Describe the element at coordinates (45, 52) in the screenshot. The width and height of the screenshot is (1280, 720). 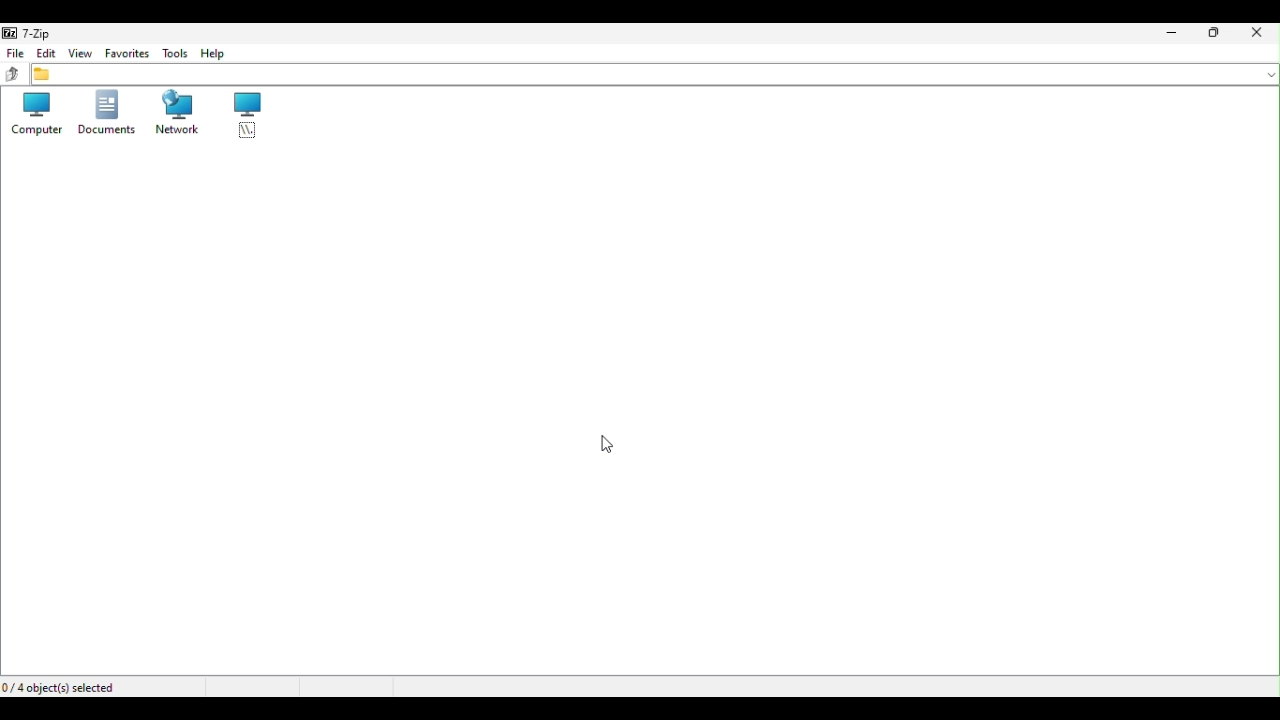
I see `edit` at that location.